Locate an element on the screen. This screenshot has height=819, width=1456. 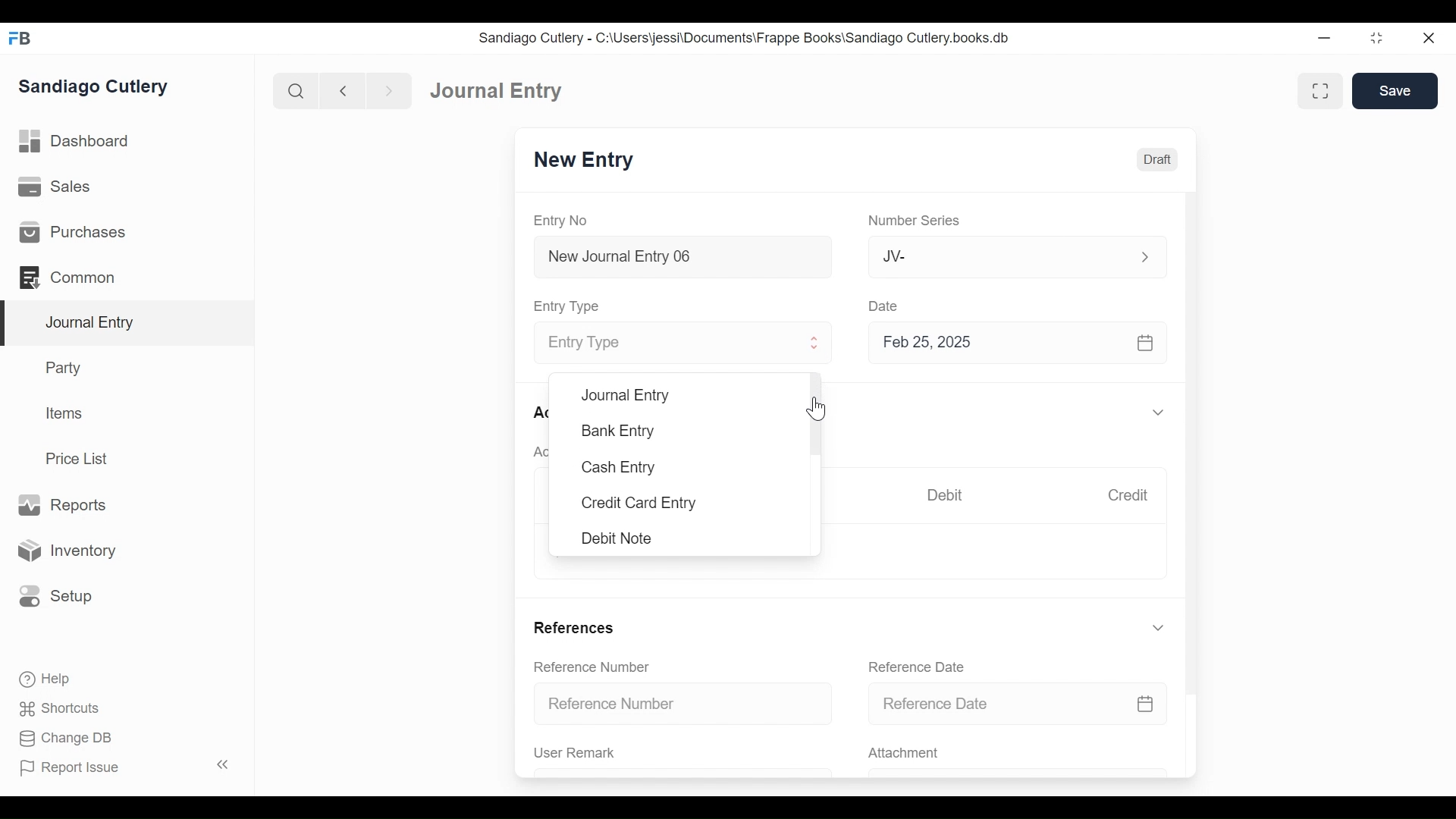
Reference Number is located at coordinates (684, 702).